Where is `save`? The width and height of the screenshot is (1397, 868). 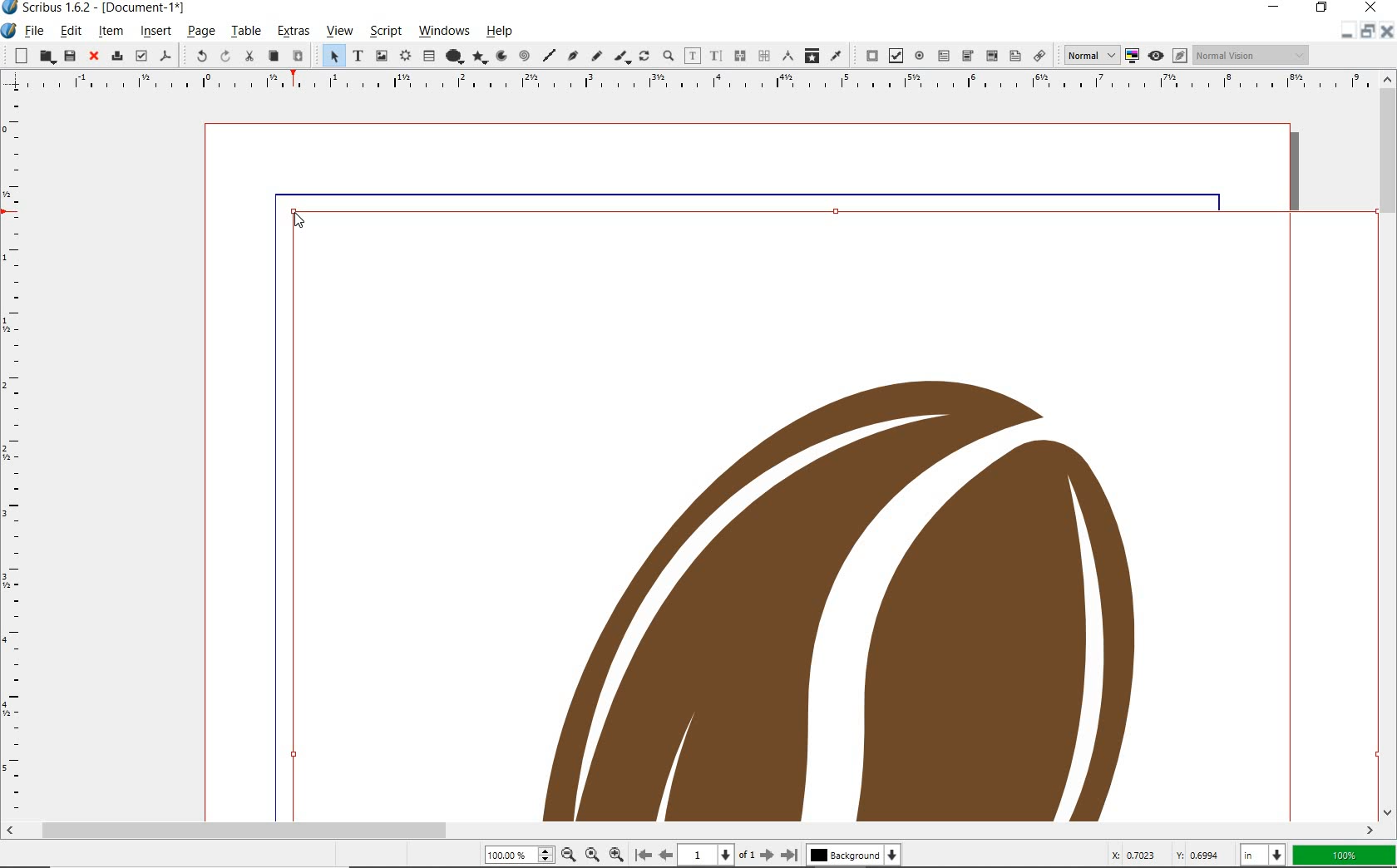 save is located at coordinates (69, 57).